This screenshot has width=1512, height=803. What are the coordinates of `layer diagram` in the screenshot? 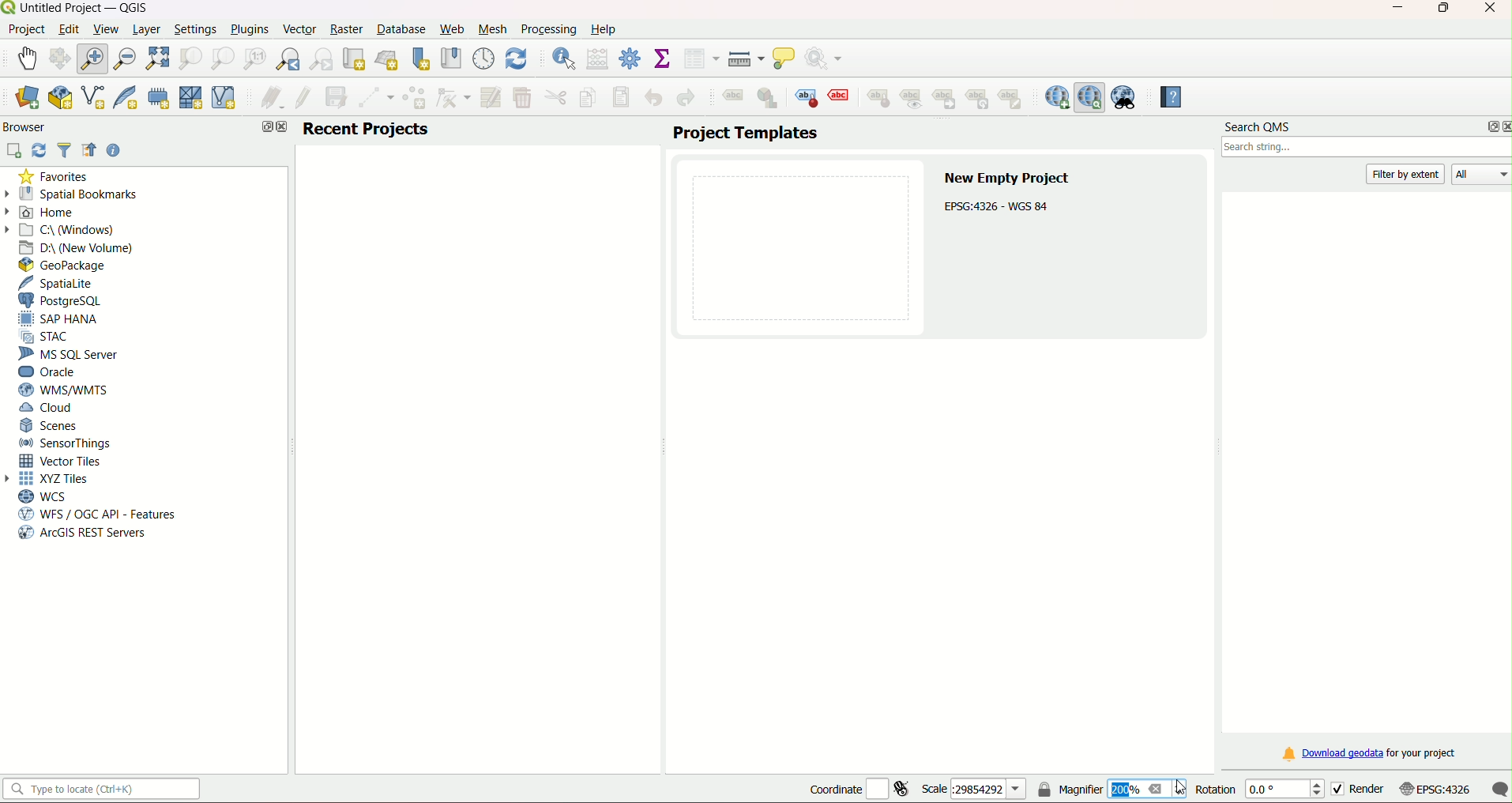 It's located at (769, 99).